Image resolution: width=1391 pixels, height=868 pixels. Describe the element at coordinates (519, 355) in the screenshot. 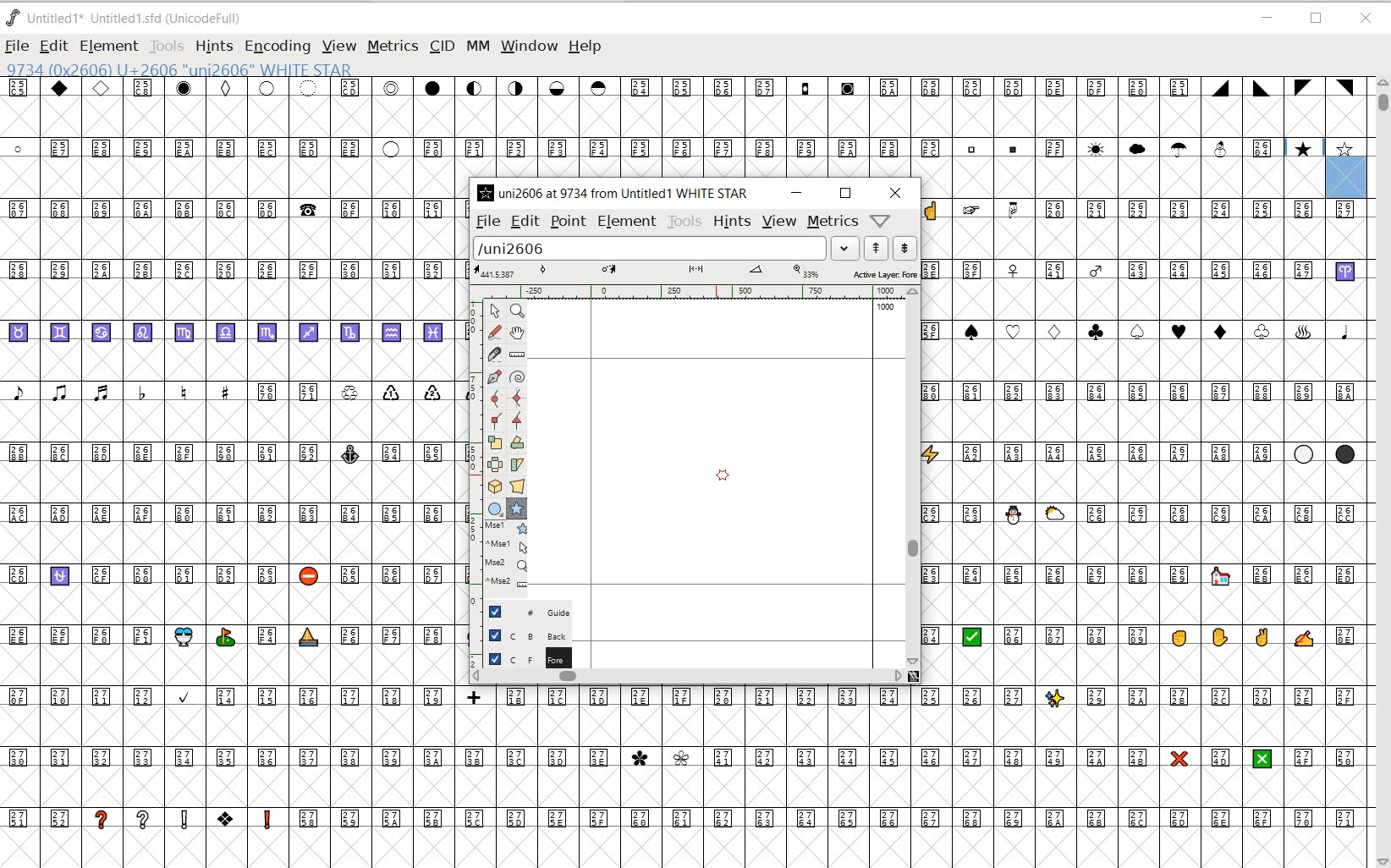

I see `MEASURE DISTANCE ` at that location.